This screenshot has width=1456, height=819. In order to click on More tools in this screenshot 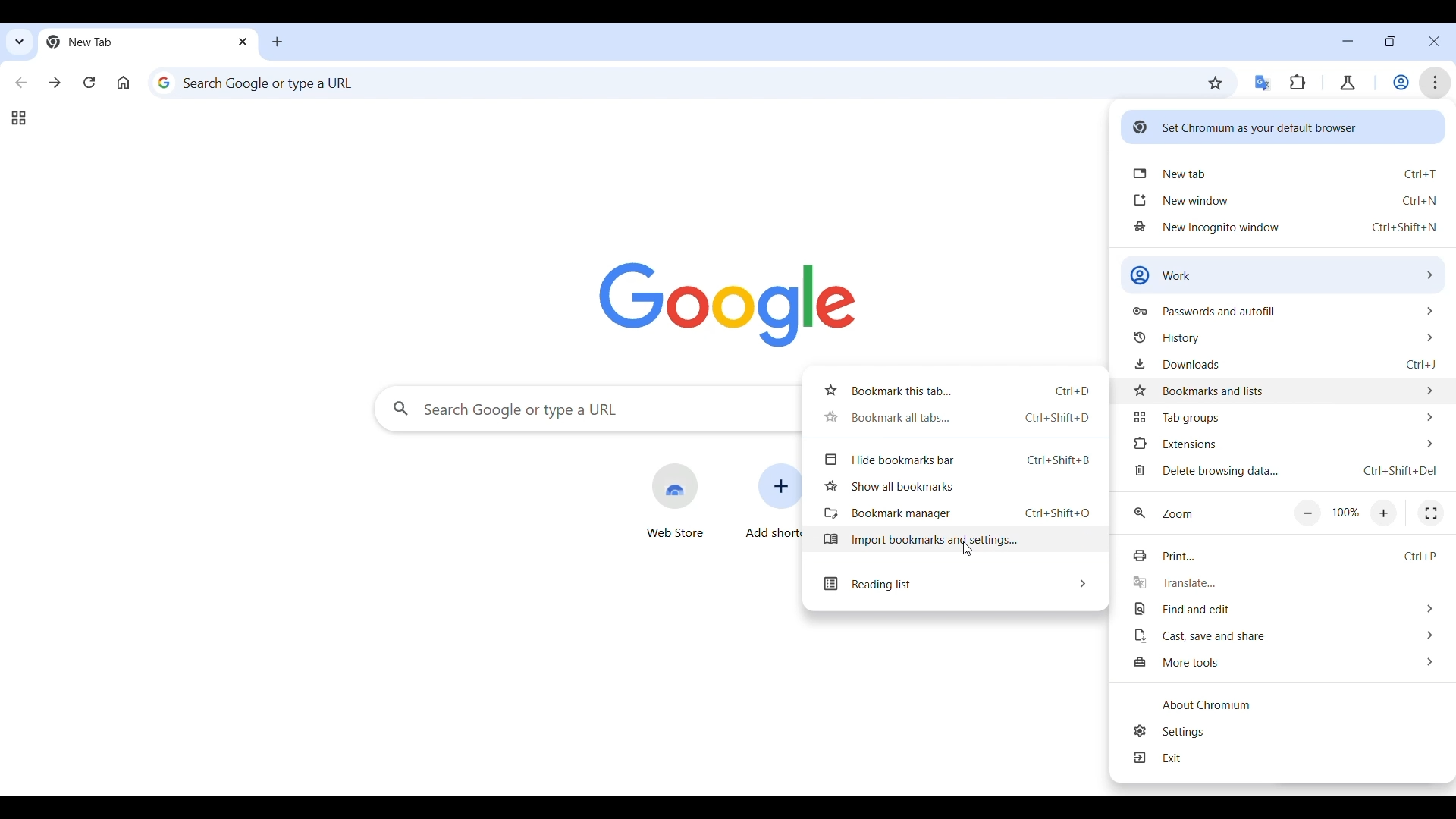, I will do `click(1285, 663)`.